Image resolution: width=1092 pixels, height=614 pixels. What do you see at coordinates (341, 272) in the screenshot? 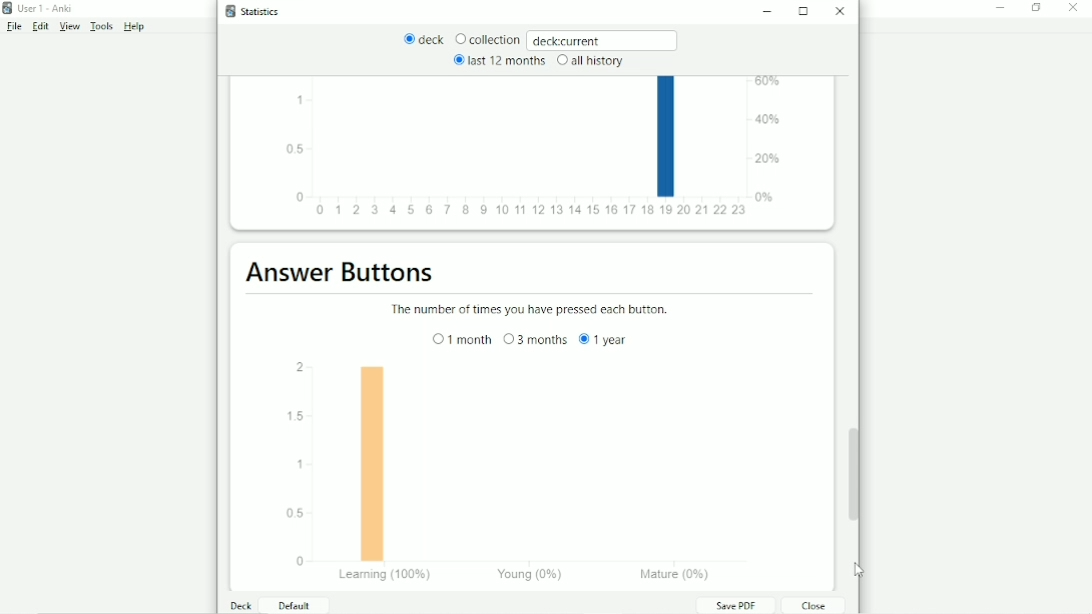
I see `Answer Buttons` at bounding box center [341, 272].